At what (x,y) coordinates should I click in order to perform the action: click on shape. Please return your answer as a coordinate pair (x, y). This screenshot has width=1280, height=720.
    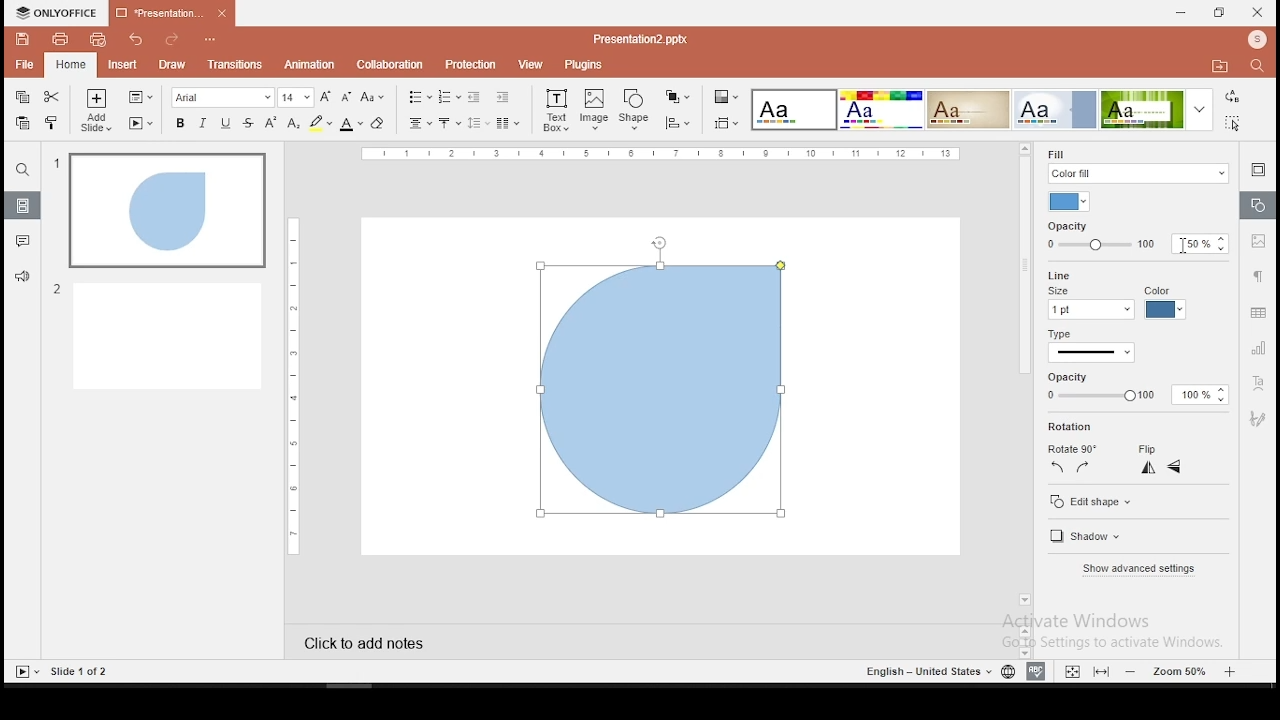
    Looking at the image, I should click on (636, 109).